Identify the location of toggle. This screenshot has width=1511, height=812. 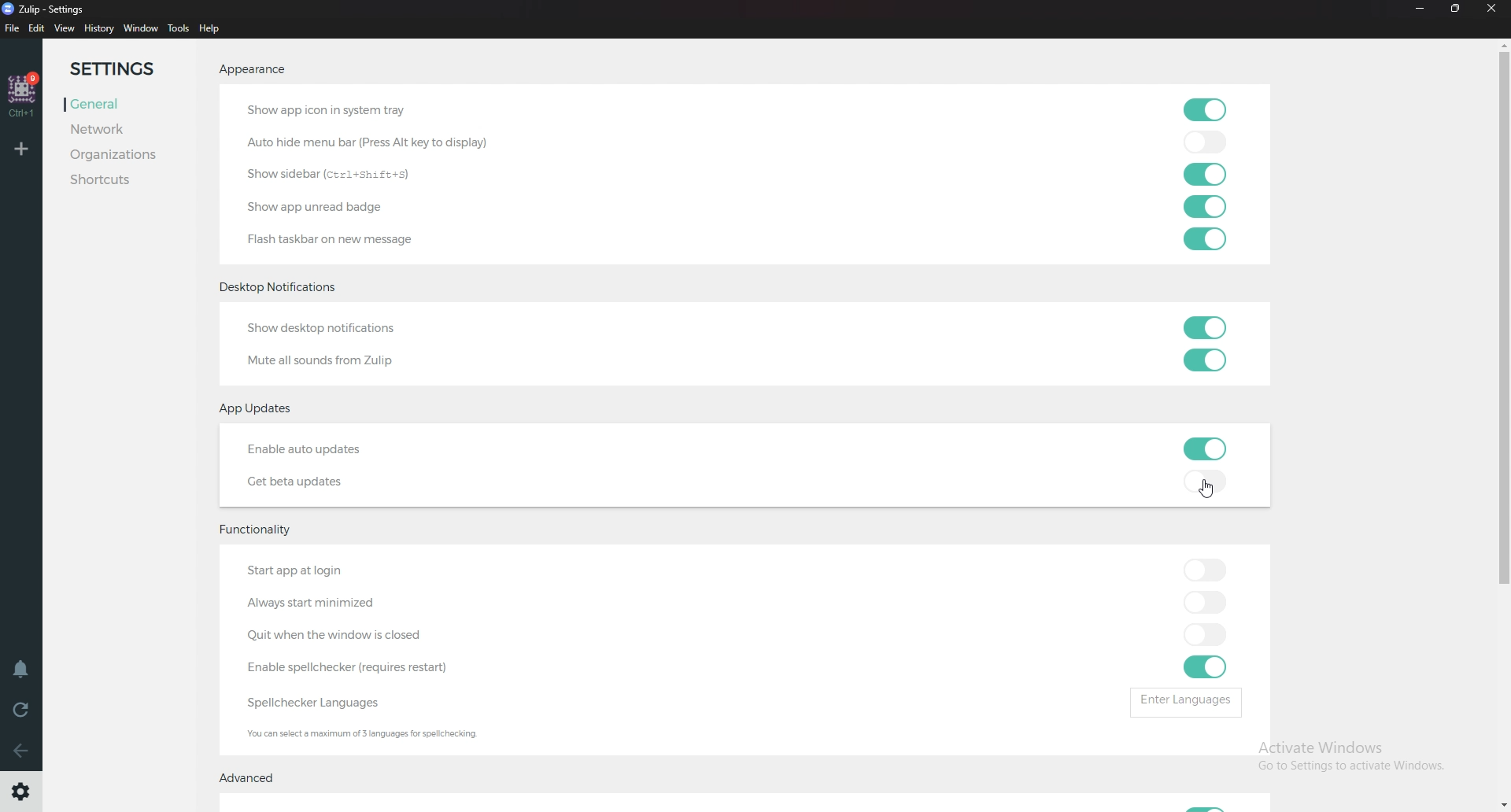
(1201, 602).